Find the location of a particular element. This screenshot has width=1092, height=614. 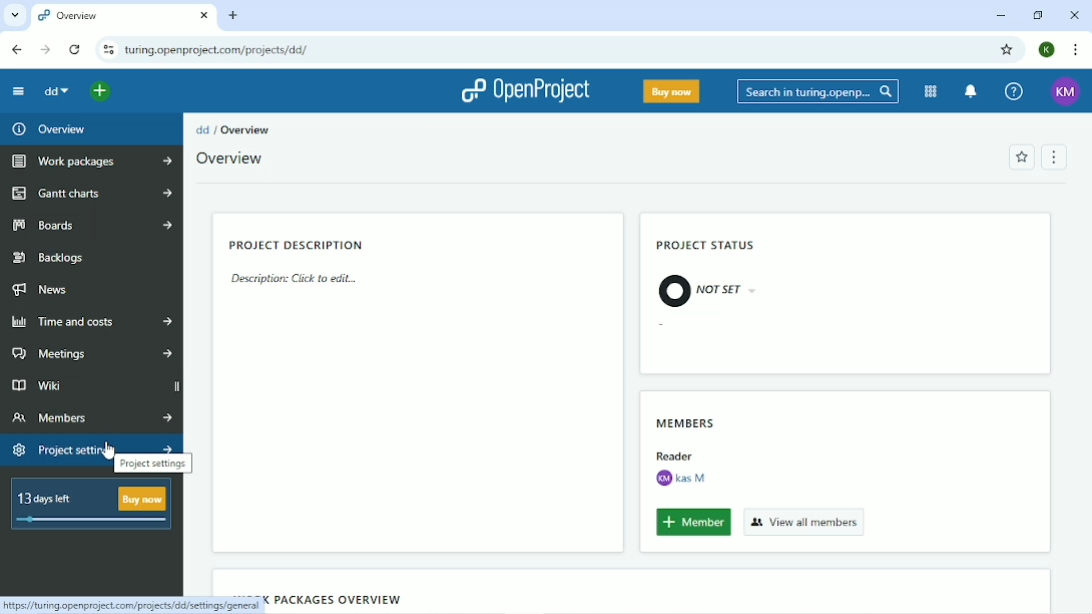

cursor is located at coordinates (113, 448).